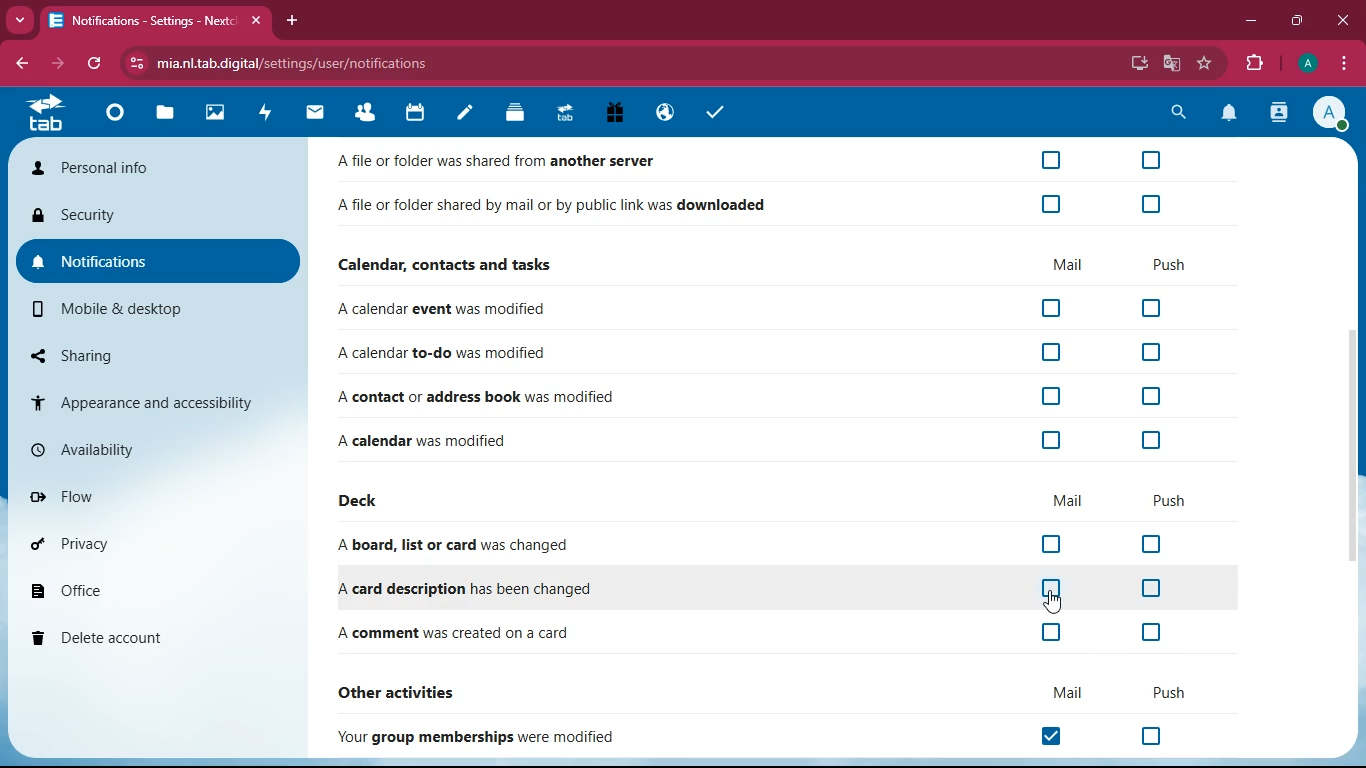 The height and width of the screenshot is (768, 1366). I want to click on cursor, so click(1061, 605).